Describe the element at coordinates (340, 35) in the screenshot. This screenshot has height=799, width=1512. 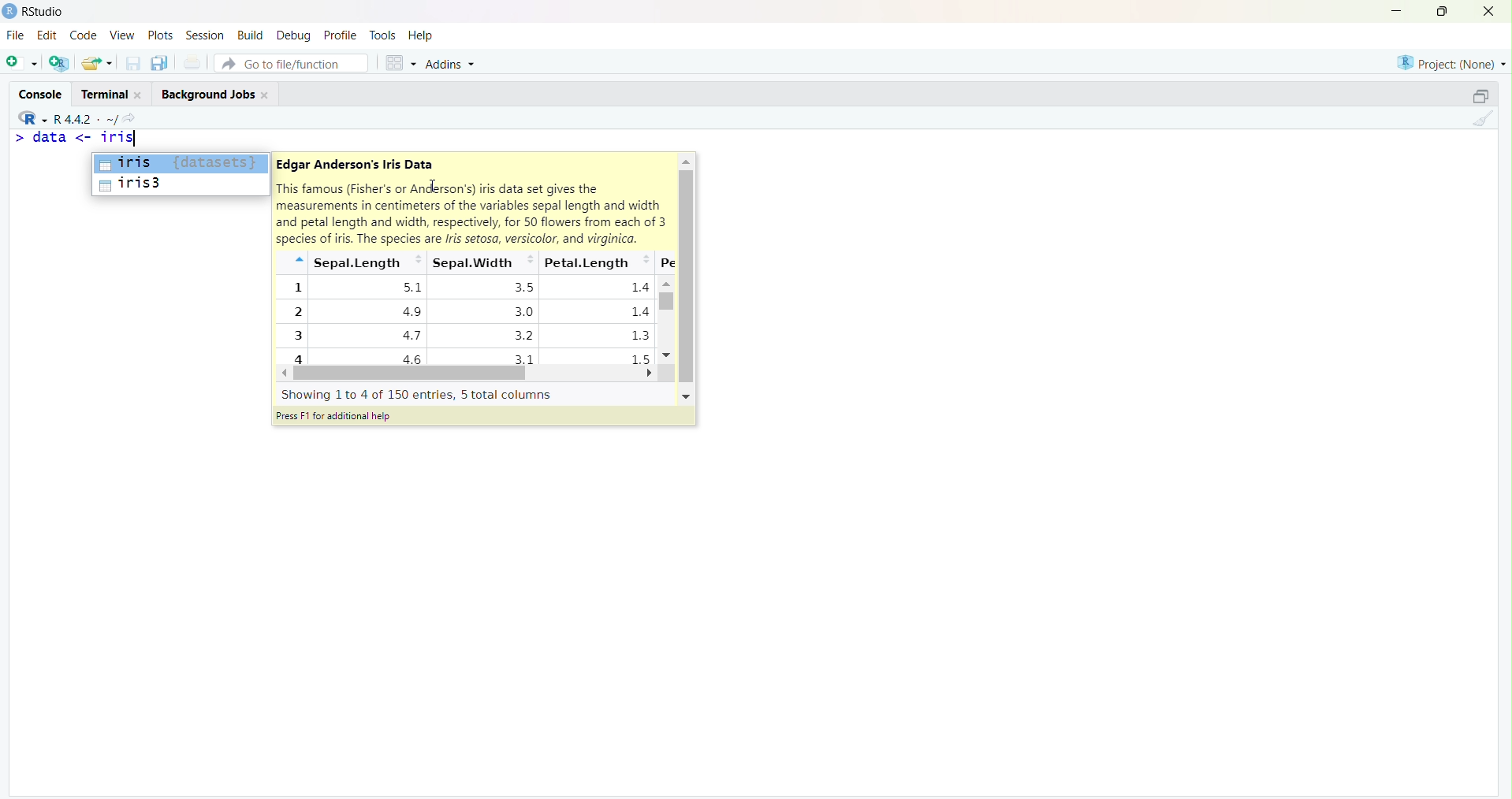
I see `Profile` at that location.